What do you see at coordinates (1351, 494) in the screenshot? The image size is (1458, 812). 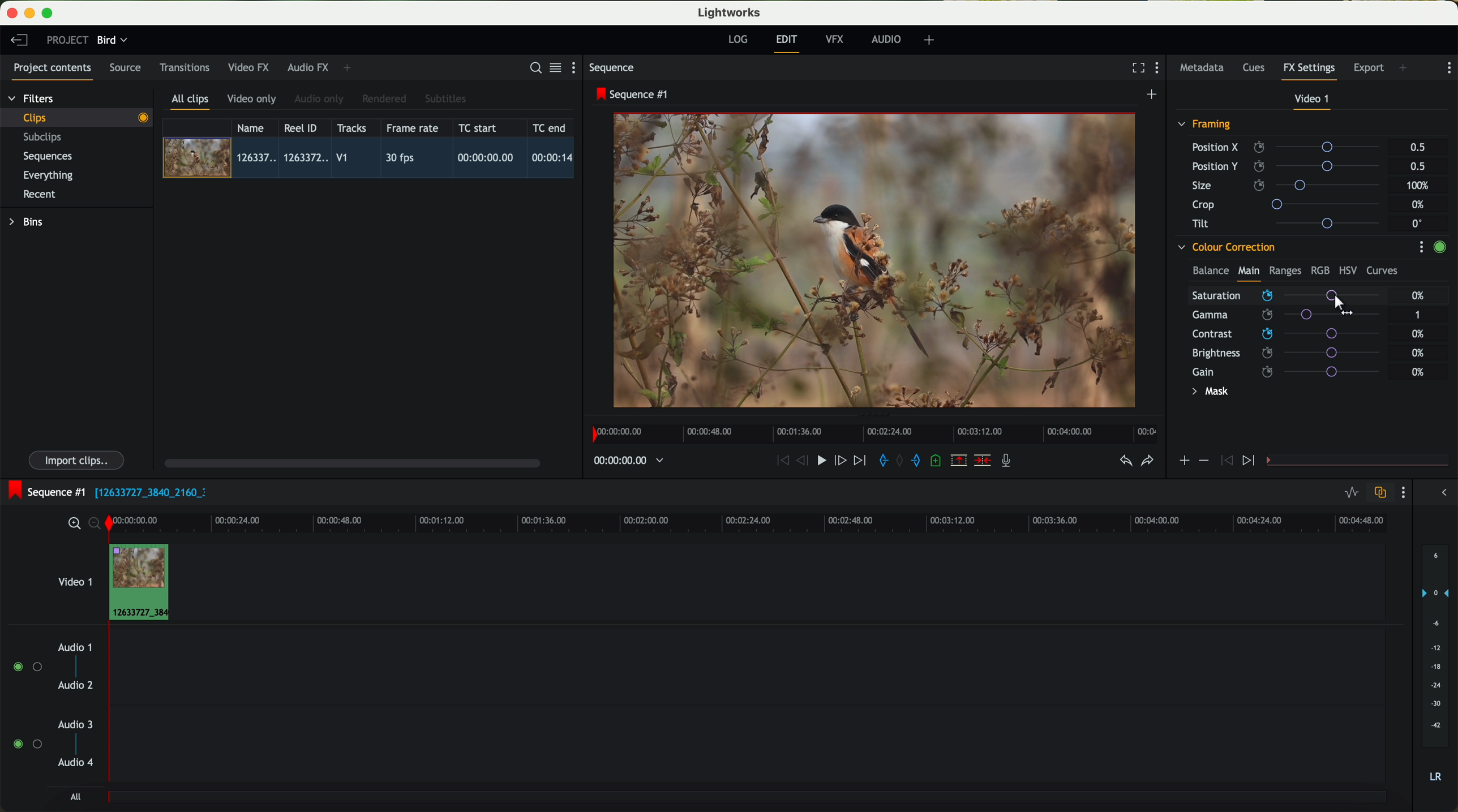 I see `toggle audio levels editing` at bounding box center [1351, 494].